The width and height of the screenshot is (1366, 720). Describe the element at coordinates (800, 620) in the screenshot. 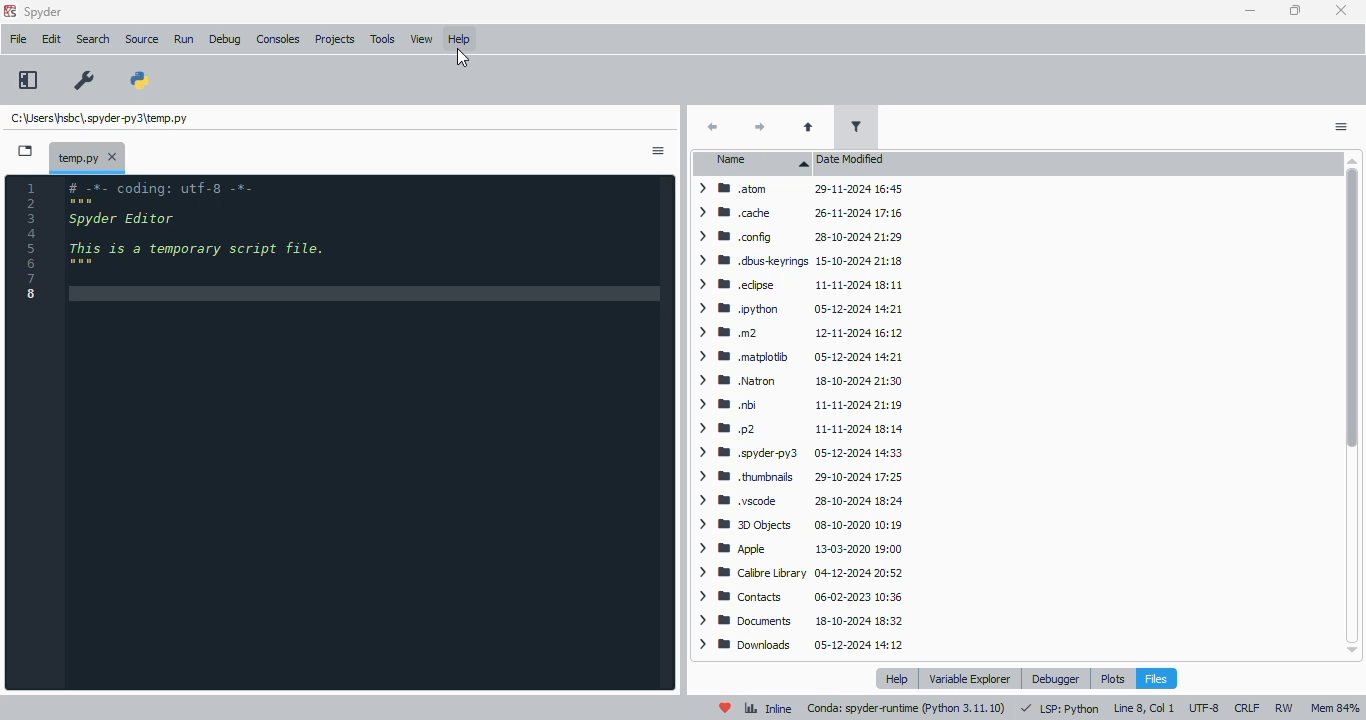

I see `> ®8 Documents 18-10-2024 18:32` at that location.